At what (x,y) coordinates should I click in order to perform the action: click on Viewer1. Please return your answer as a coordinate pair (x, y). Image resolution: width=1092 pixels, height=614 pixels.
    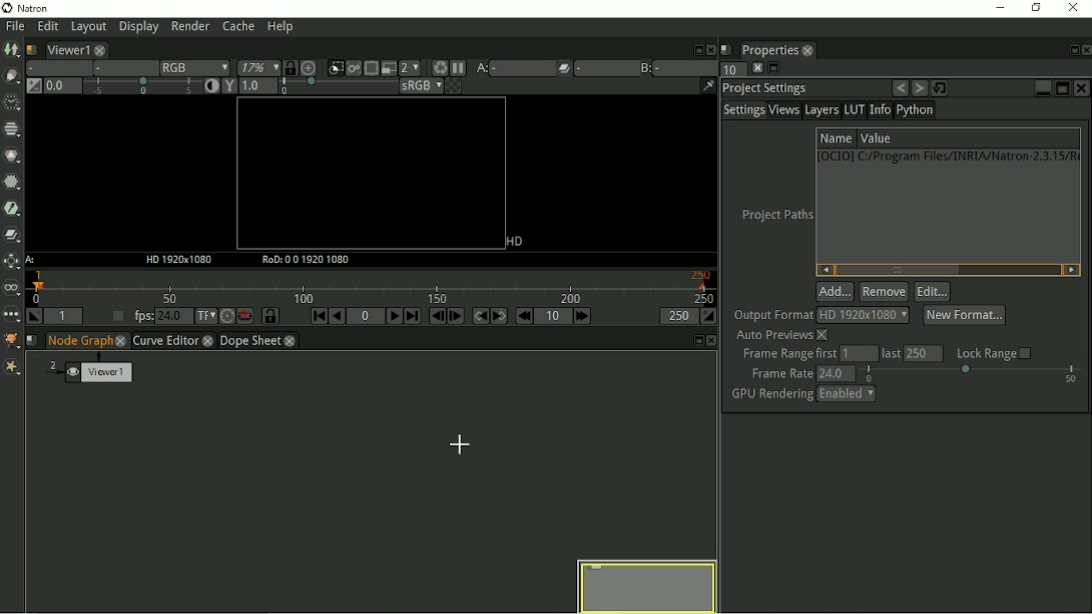
    Looking at the image, I should click on (73, 48).